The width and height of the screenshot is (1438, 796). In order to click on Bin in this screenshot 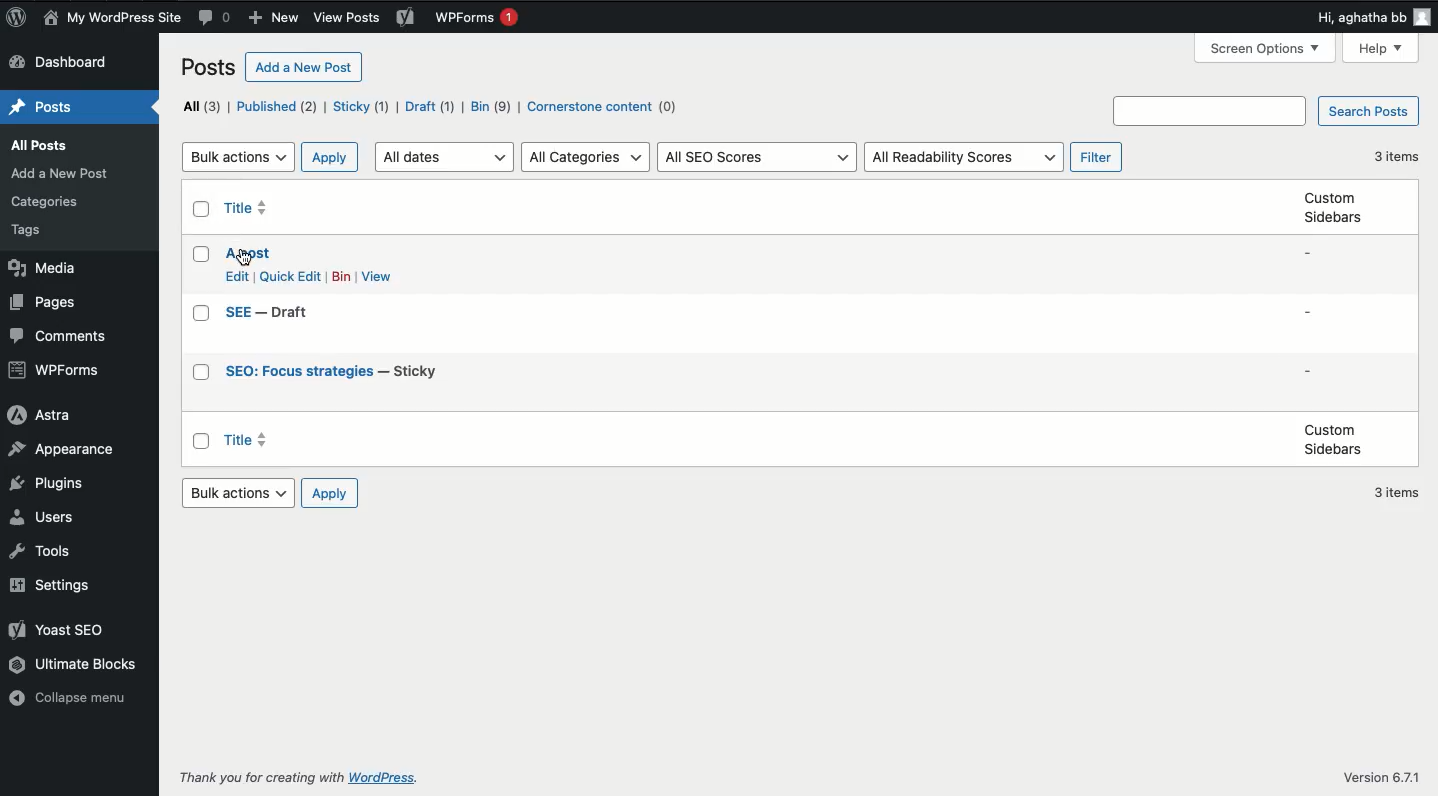, I will do `click(341, 278)`.